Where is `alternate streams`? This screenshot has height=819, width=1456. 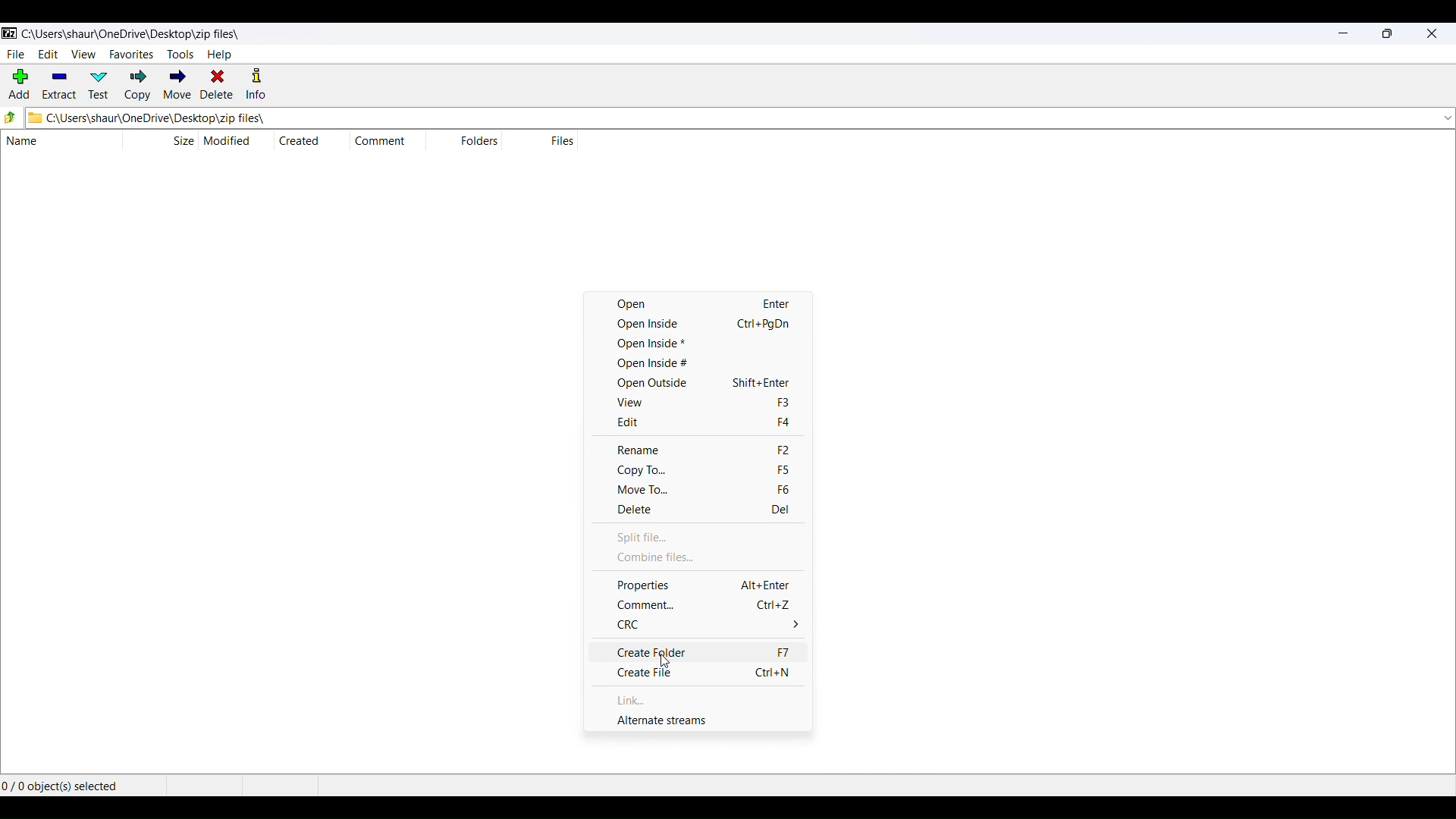 alternate streams is located at coordinates (711, 722).